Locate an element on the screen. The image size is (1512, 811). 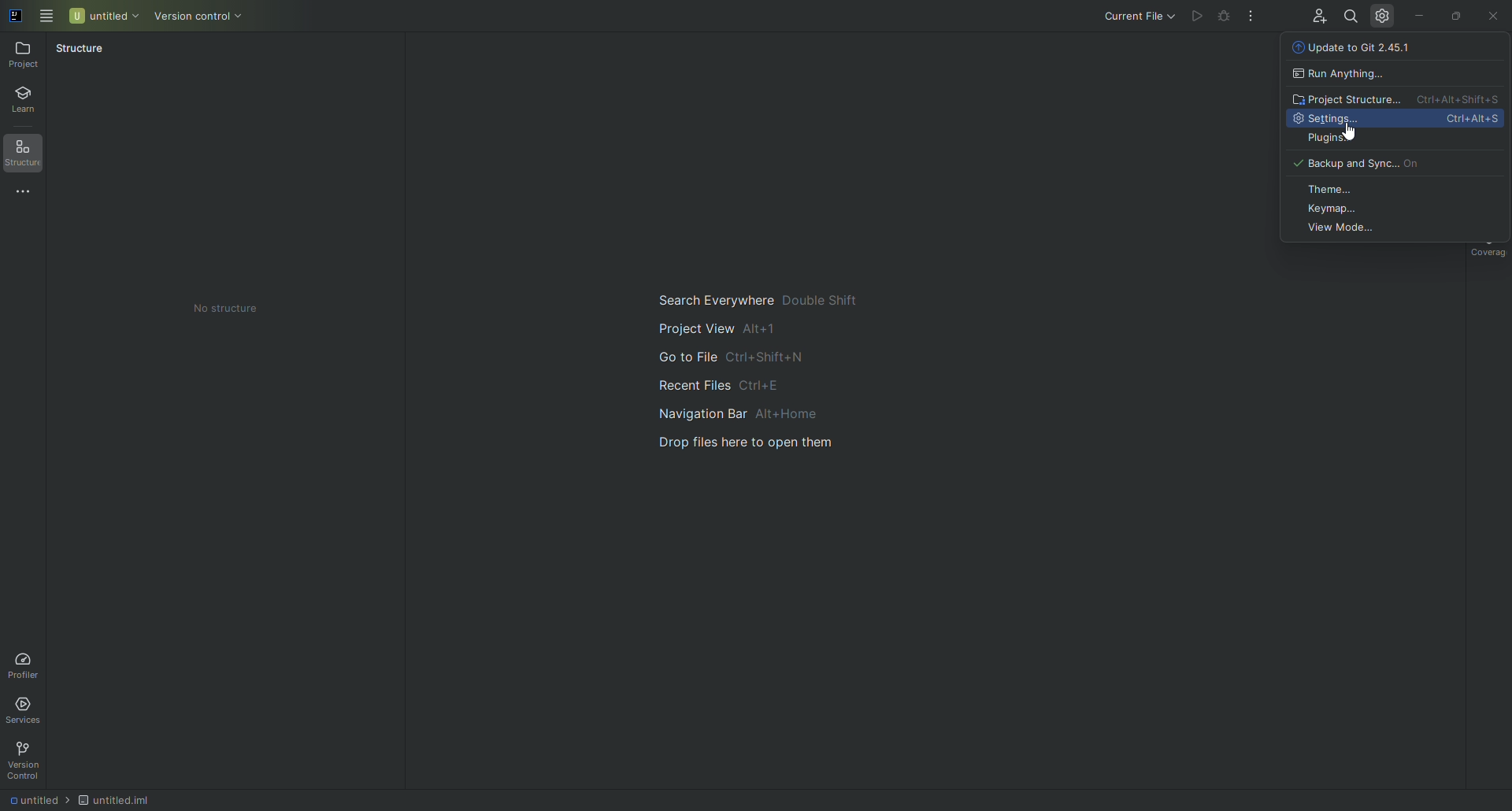
Version control is located at coordinates (204, 17).